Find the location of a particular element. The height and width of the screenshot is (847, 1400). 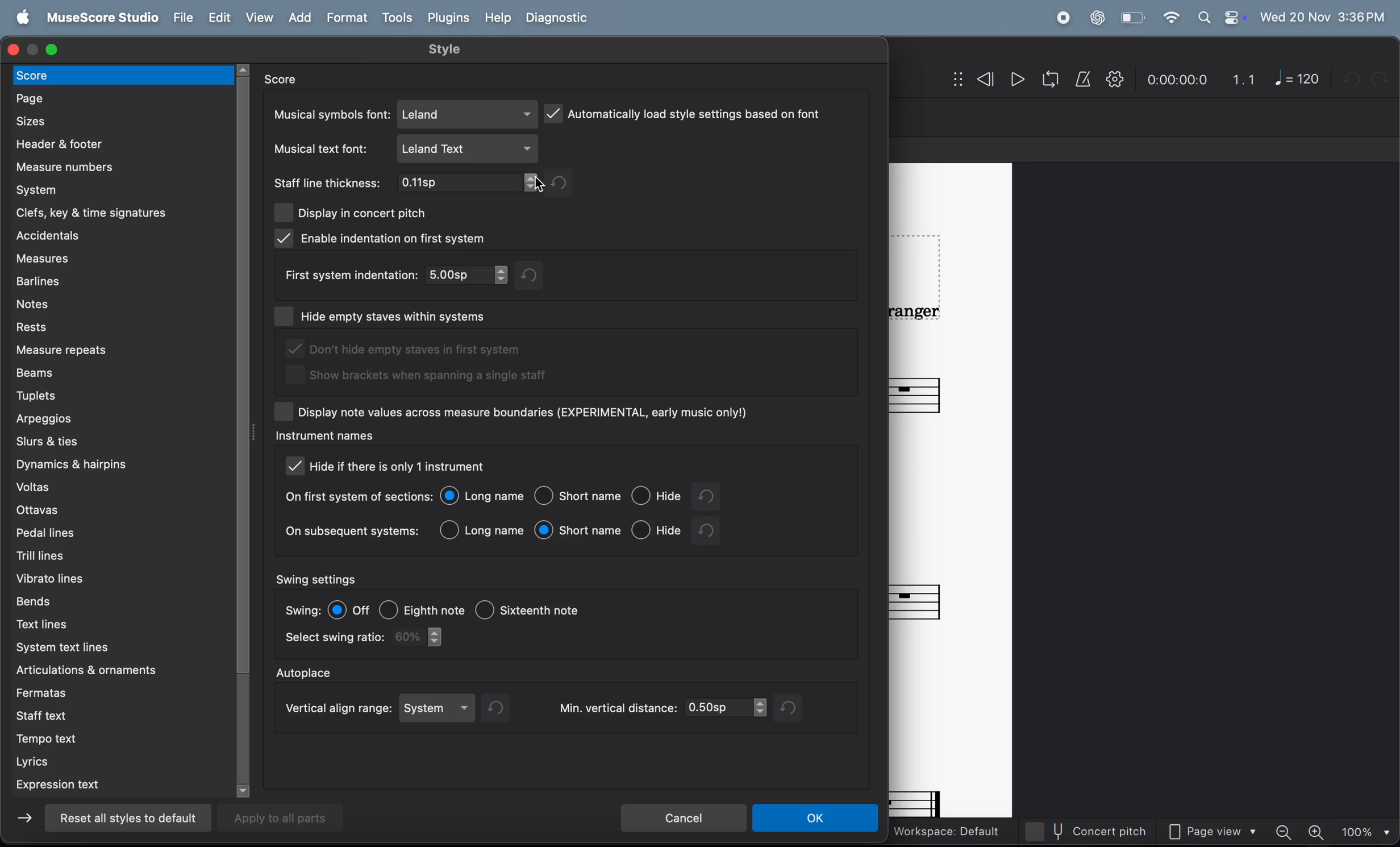

5.00sp is located at coordinates (468, 275).